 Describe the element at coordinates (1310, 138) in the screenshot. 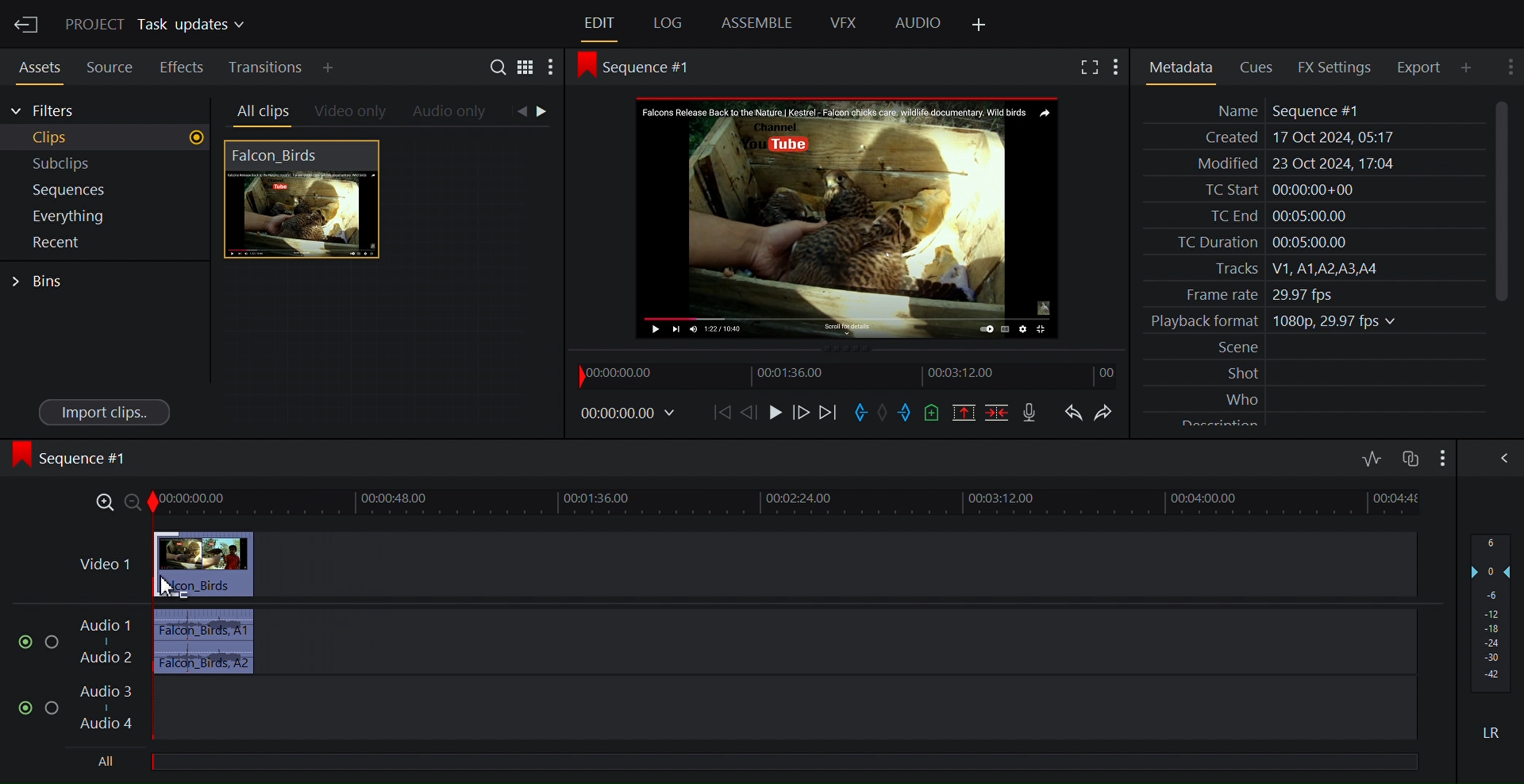

I see `Created` at that location.